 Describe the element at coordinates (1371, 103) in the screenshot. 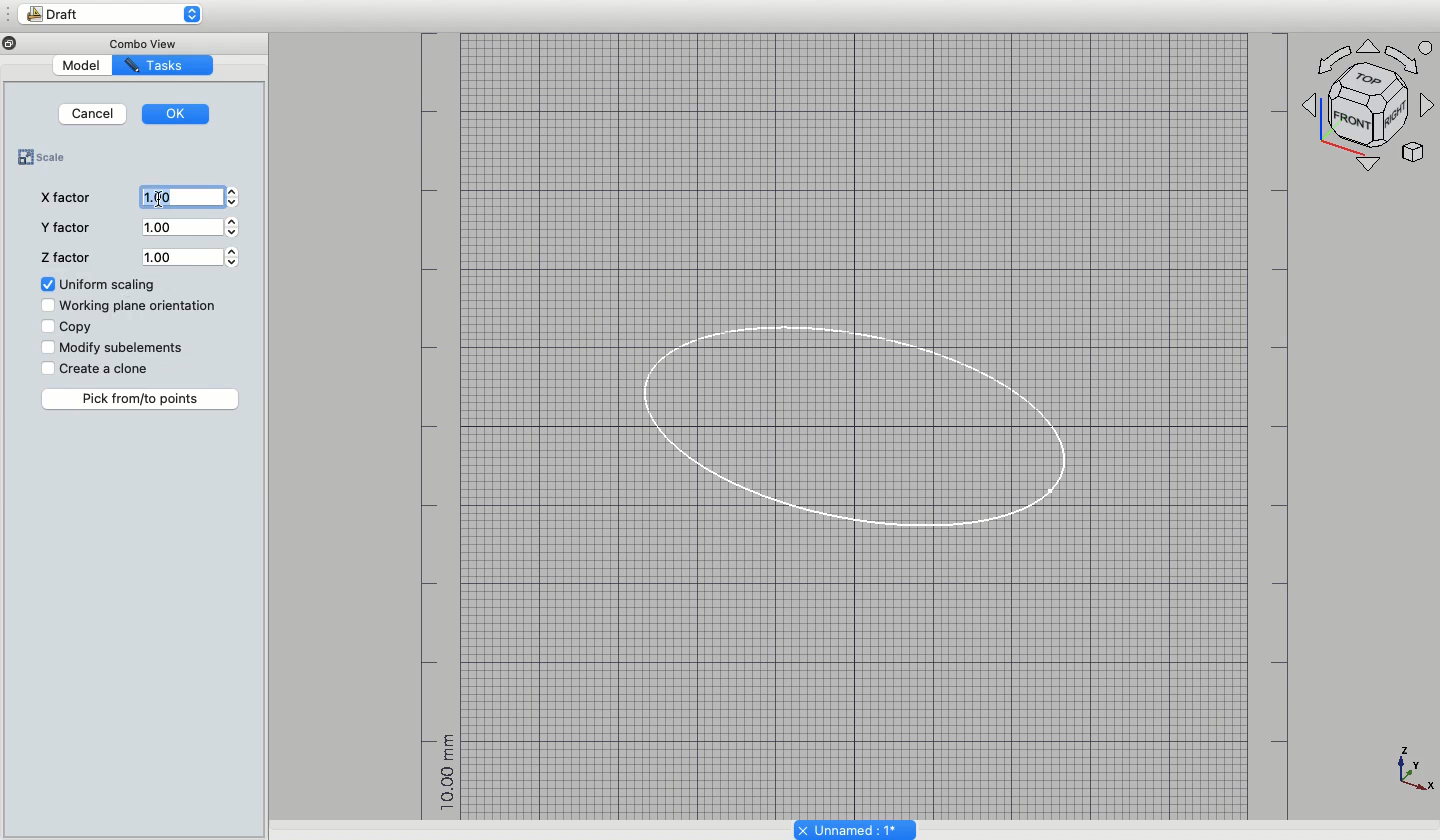

I see `Axes` at that location.